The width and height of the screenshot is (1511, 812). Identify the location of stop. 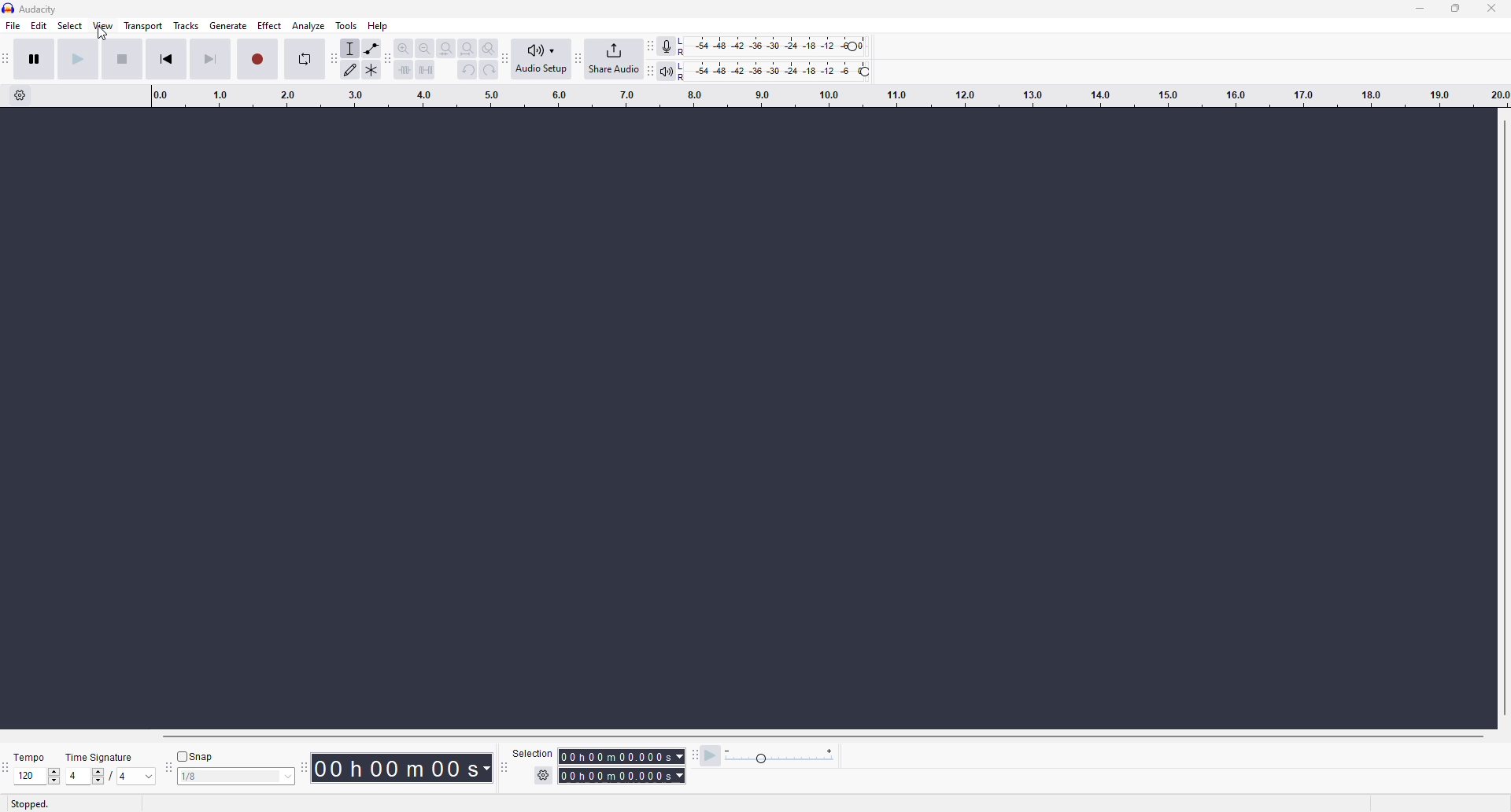
(121, 59).